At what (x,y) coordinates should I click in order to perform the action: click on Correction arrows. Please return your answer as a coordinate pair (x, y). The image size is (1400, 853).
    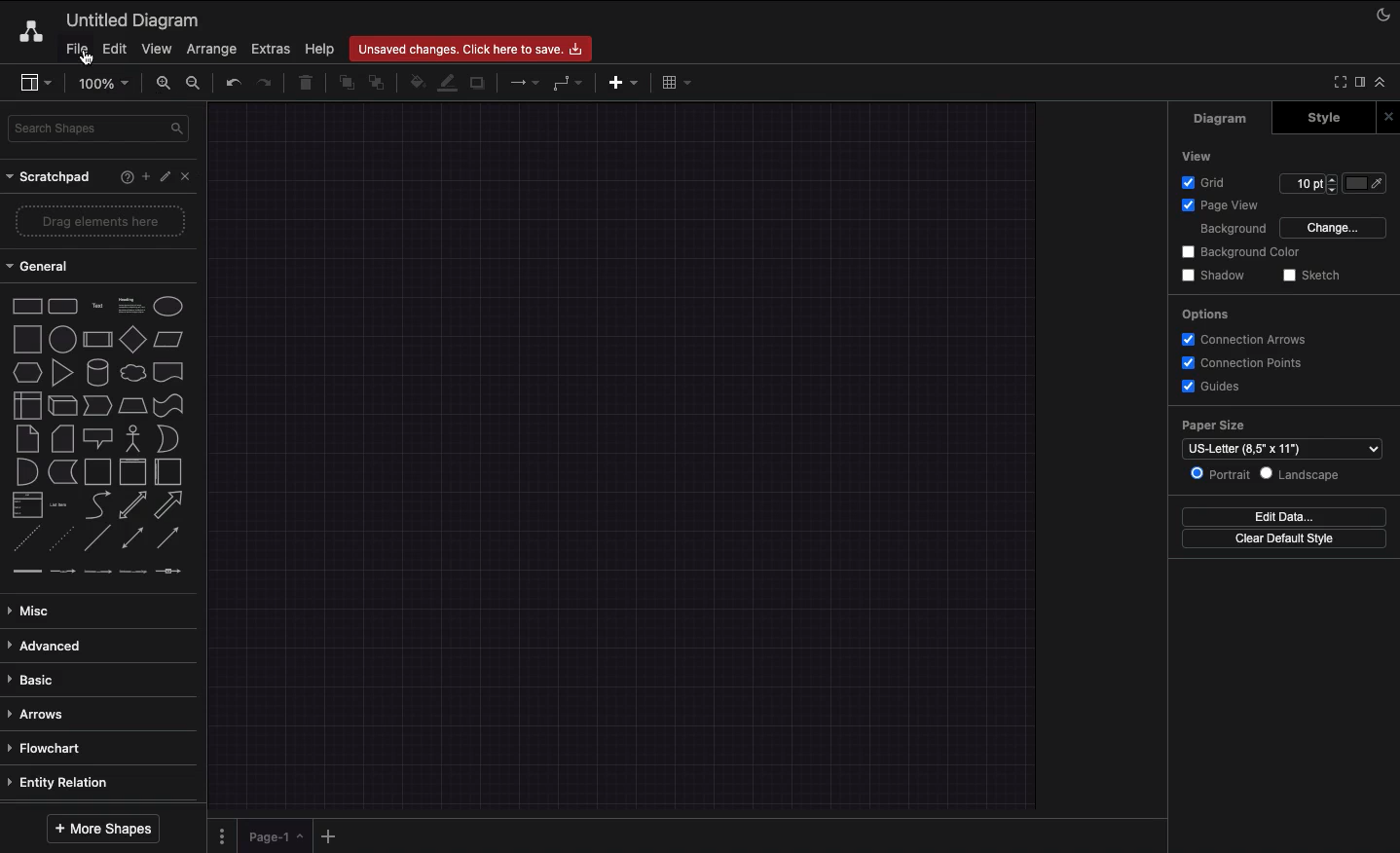
    Looking at the image, I should click on (1241, 338).